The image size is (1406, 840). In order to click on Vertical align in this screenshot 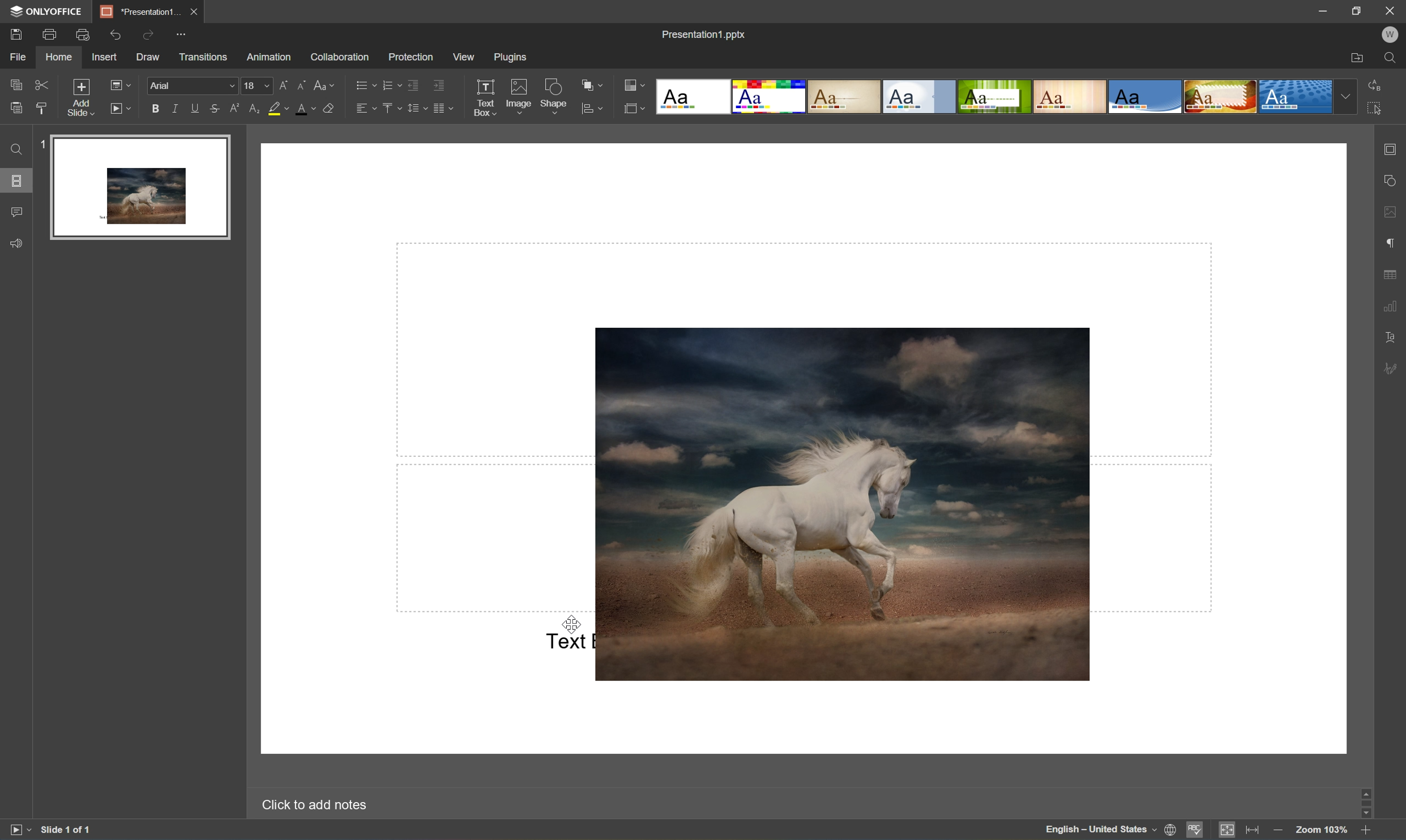, I will do `click(391, 108)`.